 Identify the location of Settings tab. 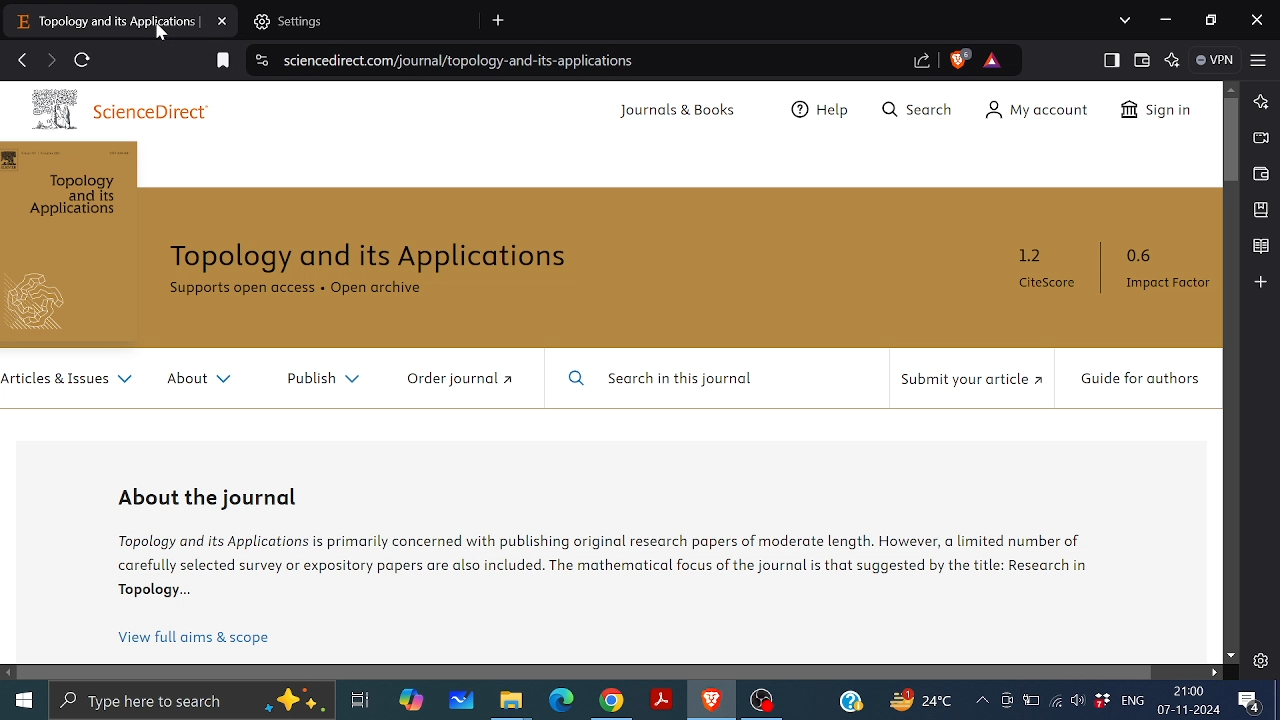
(364, 23).